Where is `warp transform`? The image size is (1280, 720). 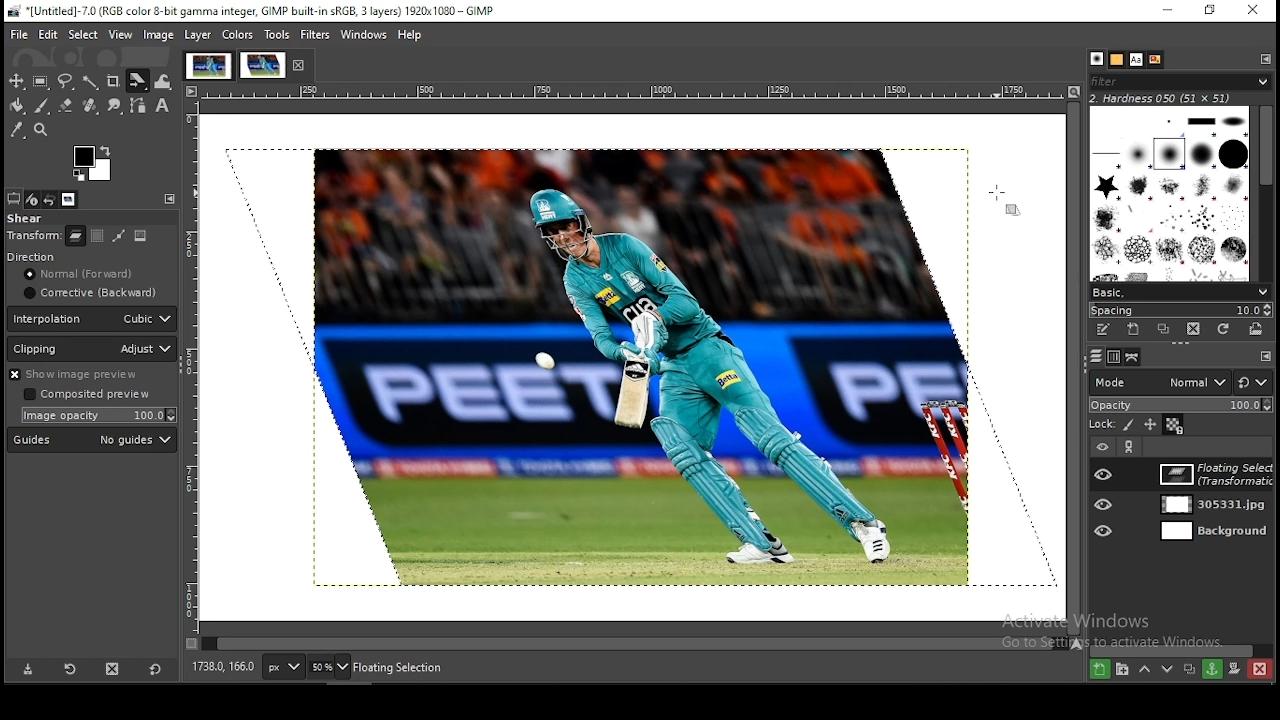 warp transform is located at coordinates (167, 82).